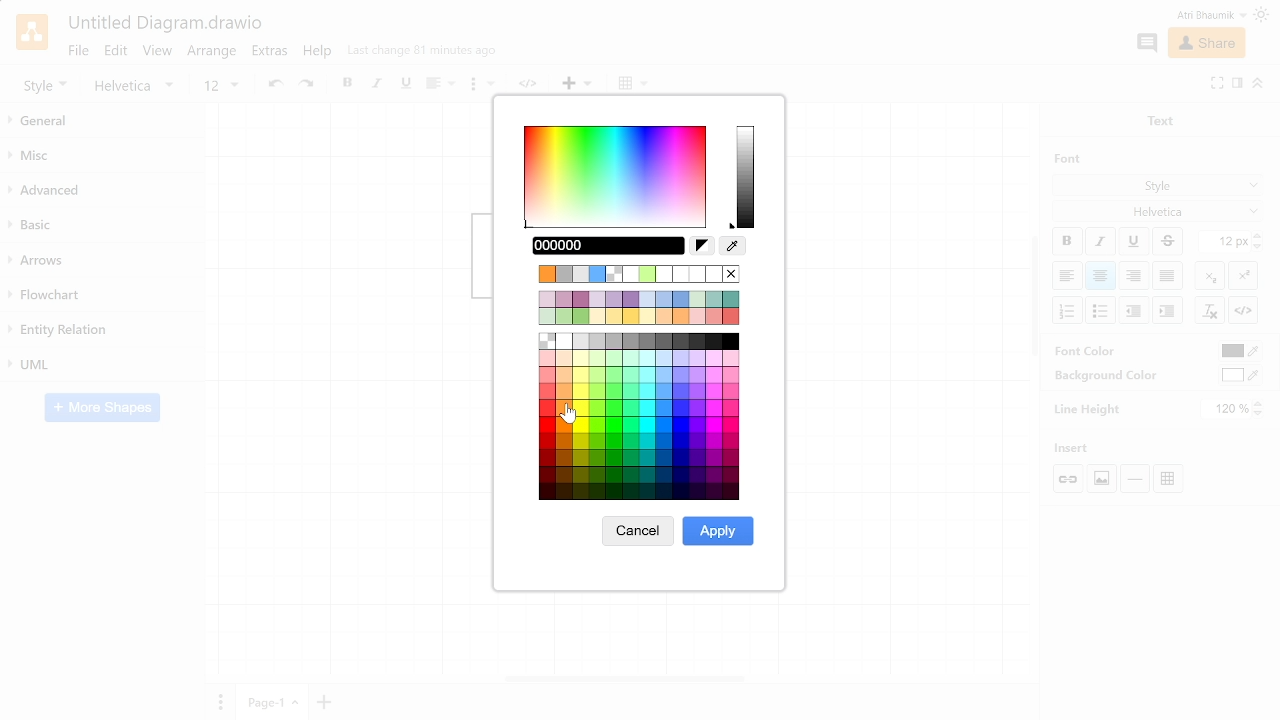 Image resolution: width=1280 pixels, height=720 pixels. I want to click on Shade, so click(746, 178).